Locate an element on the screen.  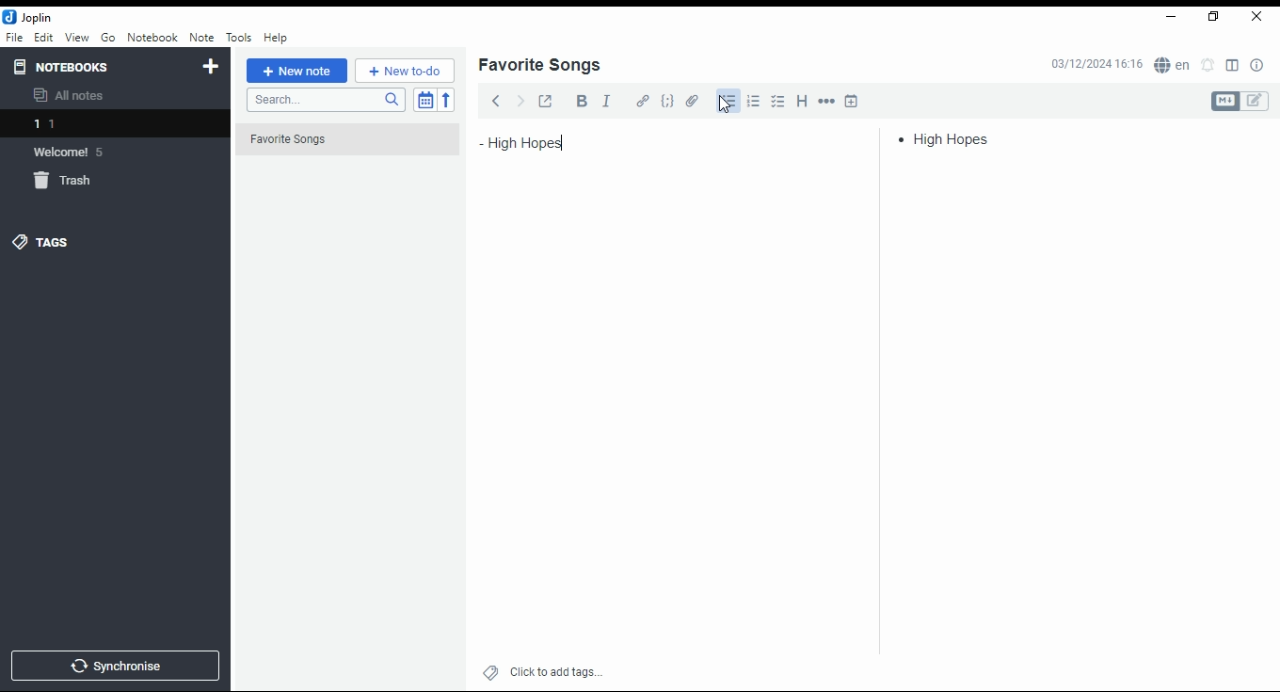
set alarm is located at coordinates (1209, 65).